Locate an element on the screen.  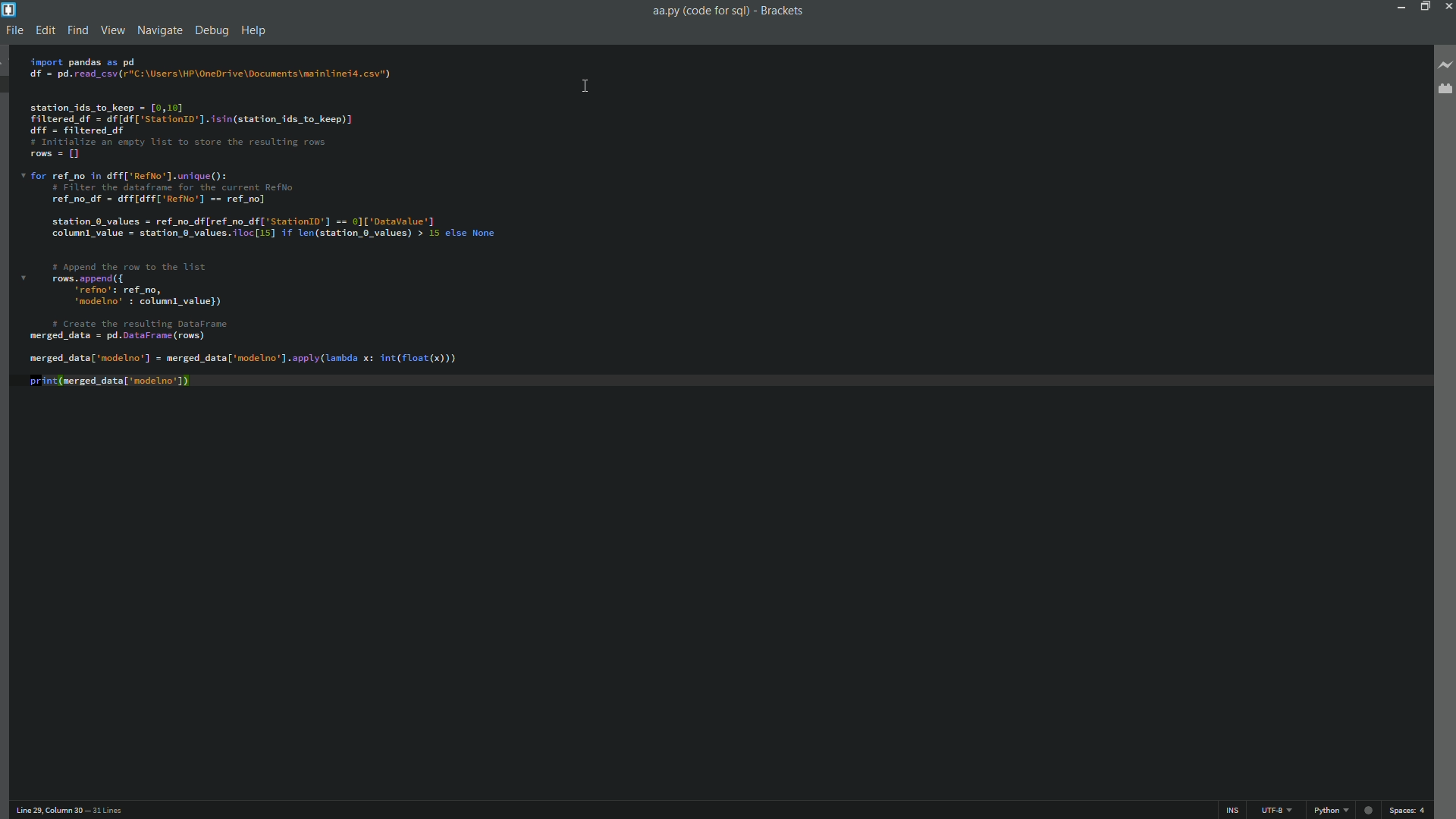
find menu is located at coordinates (77, 30).